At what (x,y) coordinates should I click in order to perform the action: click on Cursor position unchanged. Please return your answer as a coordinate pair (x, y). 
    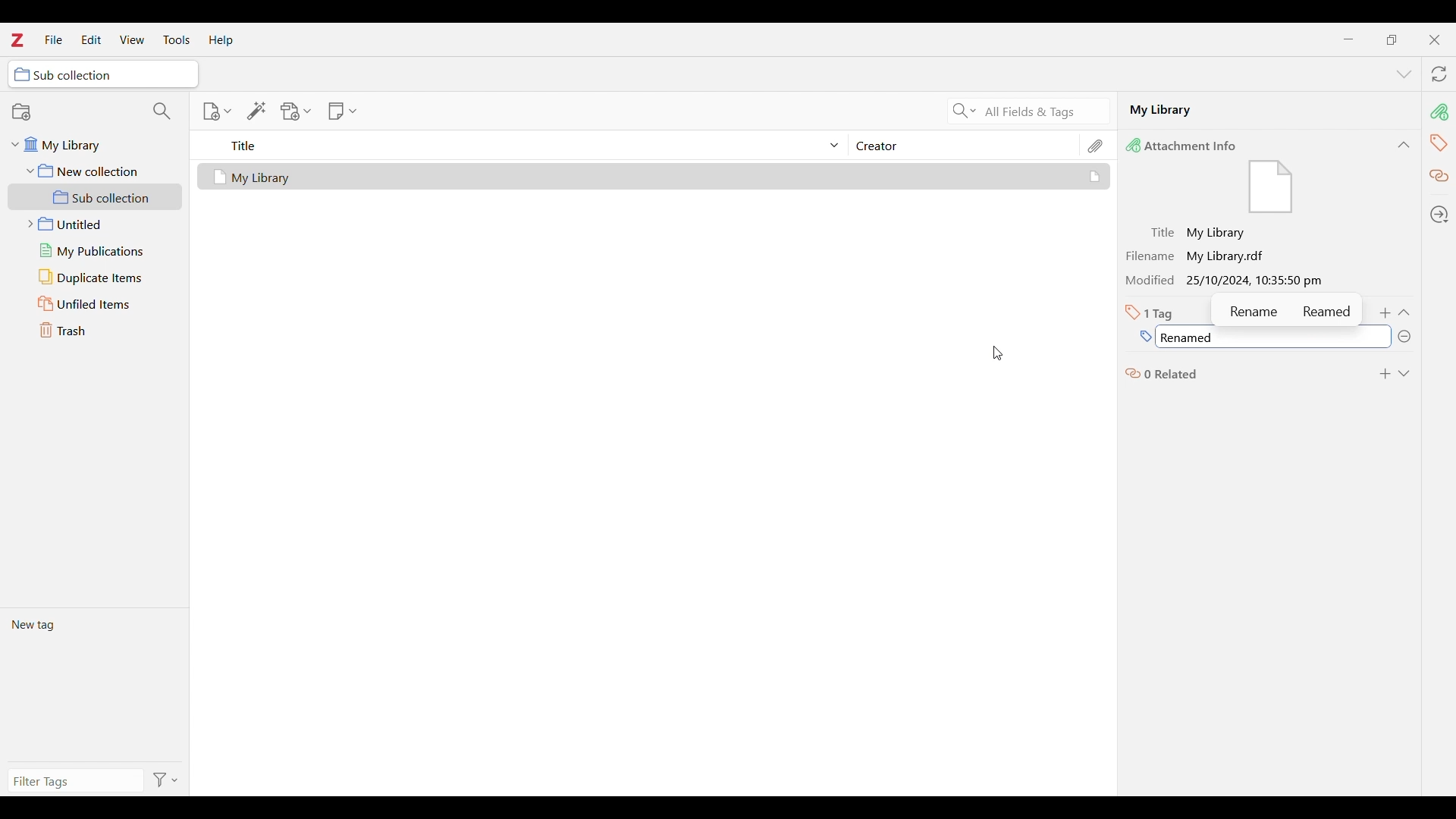
    Looking at the image, I should click on (1164, 344).